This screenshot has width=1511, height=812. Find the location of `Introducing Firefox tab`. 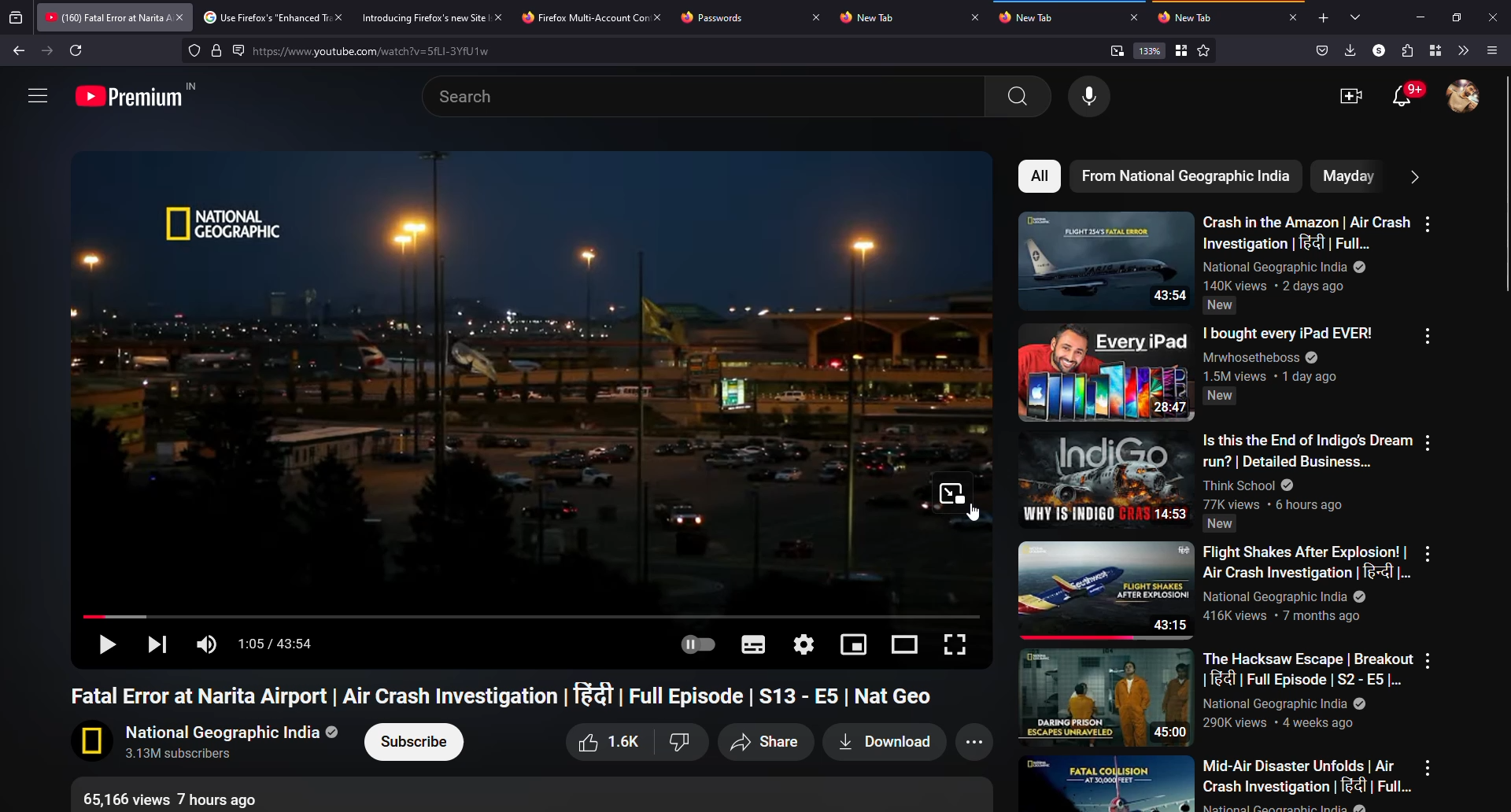

Introducing Firefox tab is located at coordinates (420, 17).